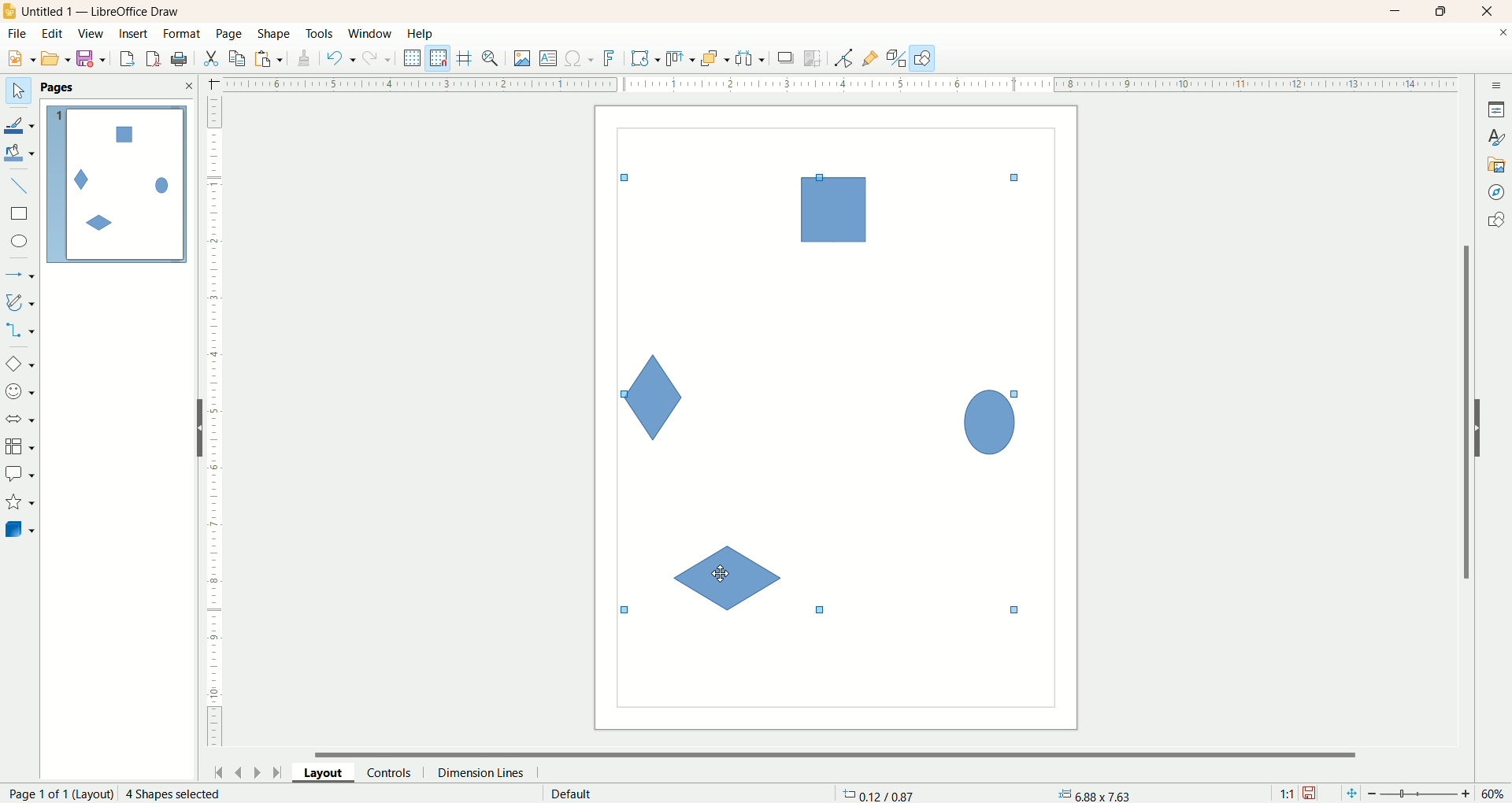  I want to click on properties, so click(1496, 109).